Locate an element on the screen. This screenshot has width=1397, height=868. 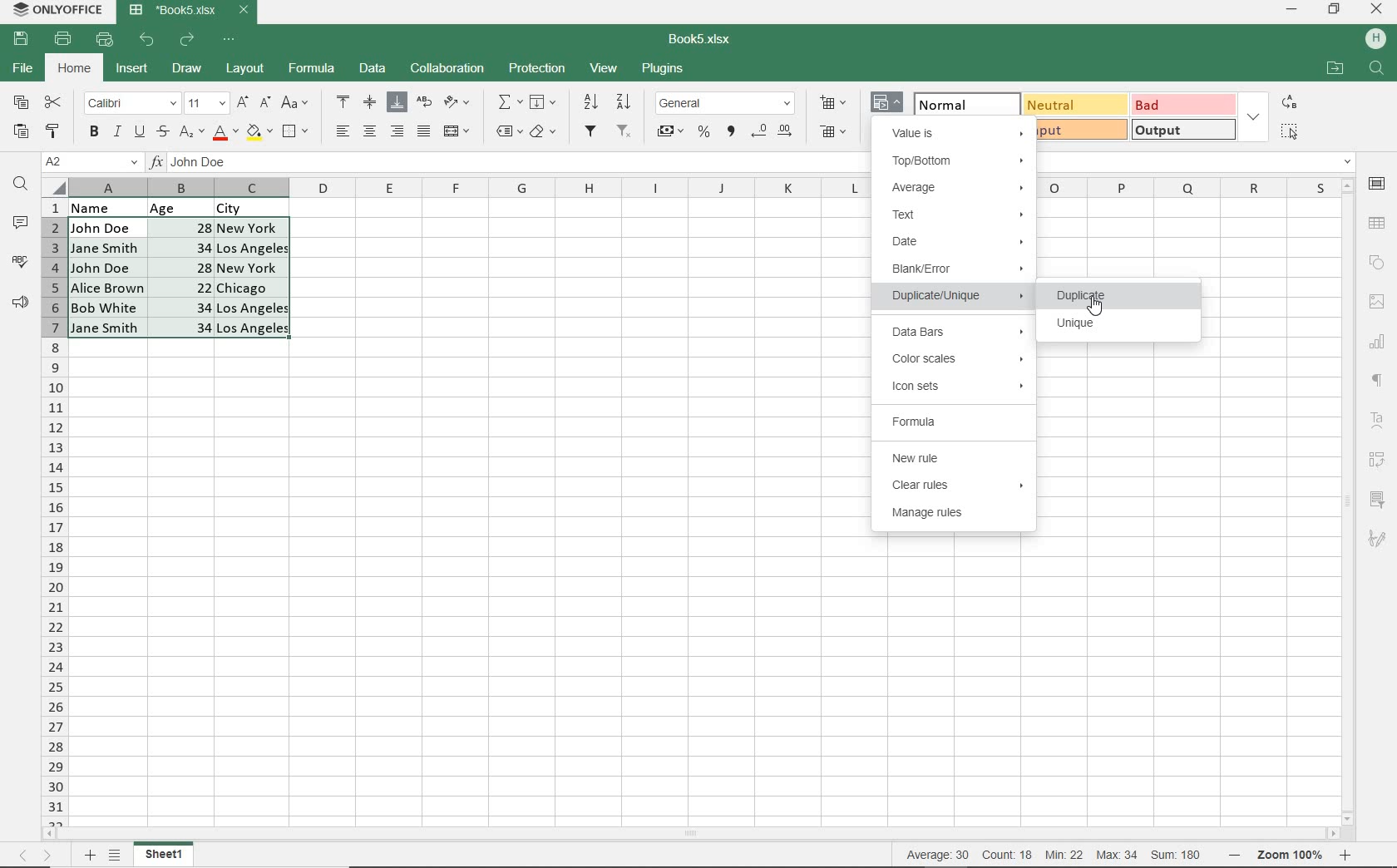
PASTE is located at coordinates (21, 132).